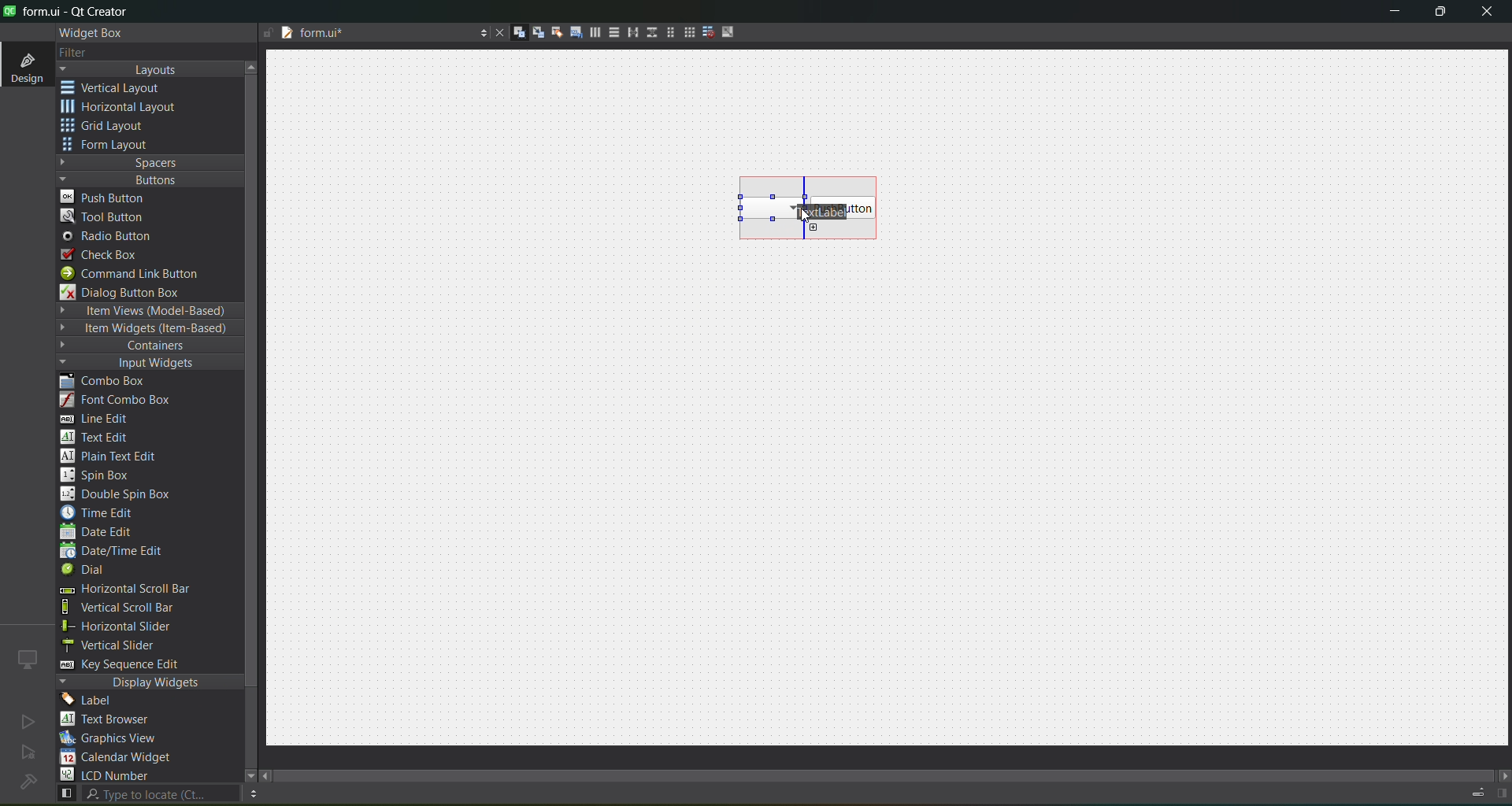  Describe the element at coordinates (121, 401) in the screenshot. I see `font combo box` at that location.